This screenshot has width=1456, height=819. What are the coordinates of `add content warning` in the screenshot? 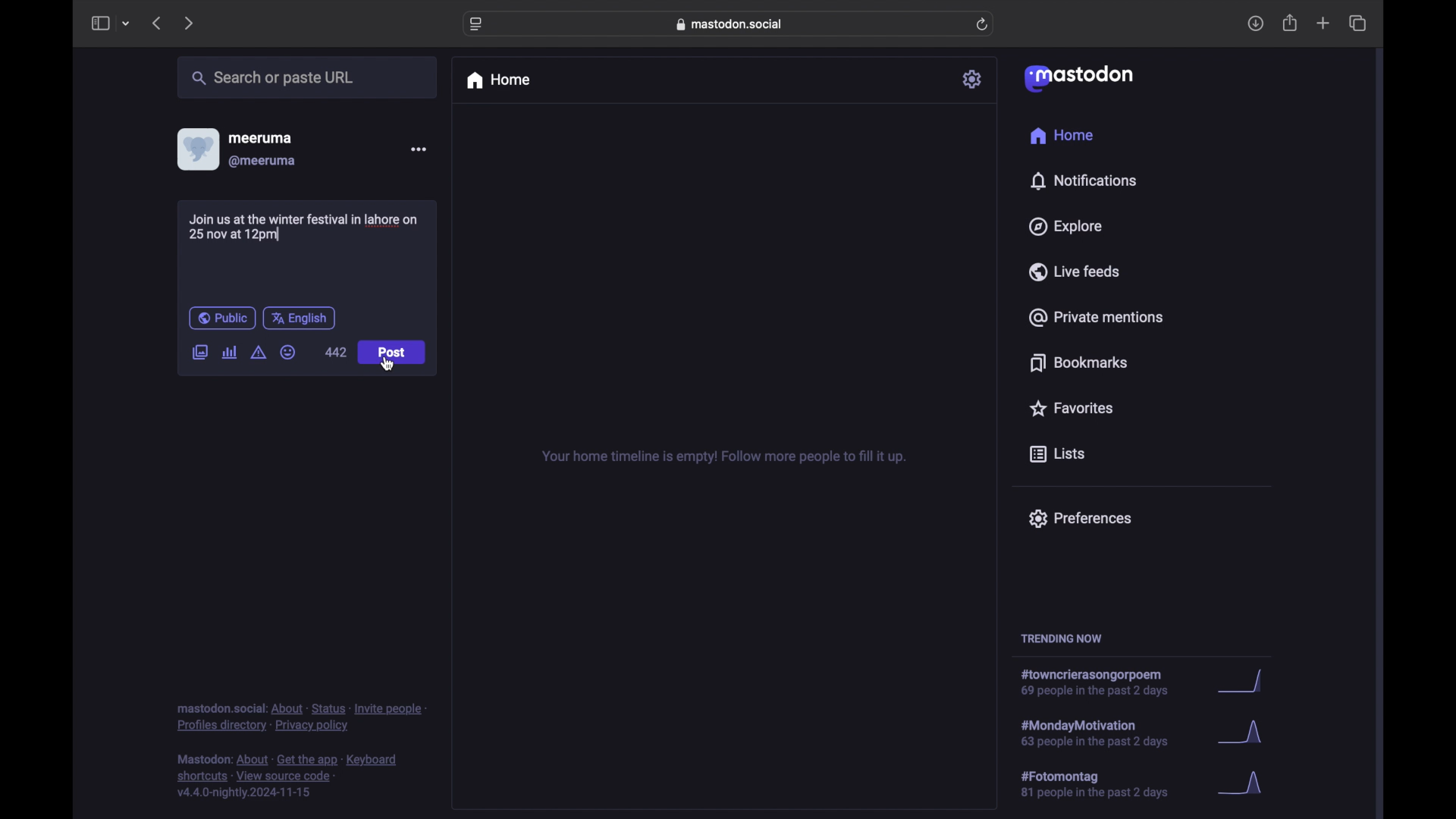 It's located at (258, 353).